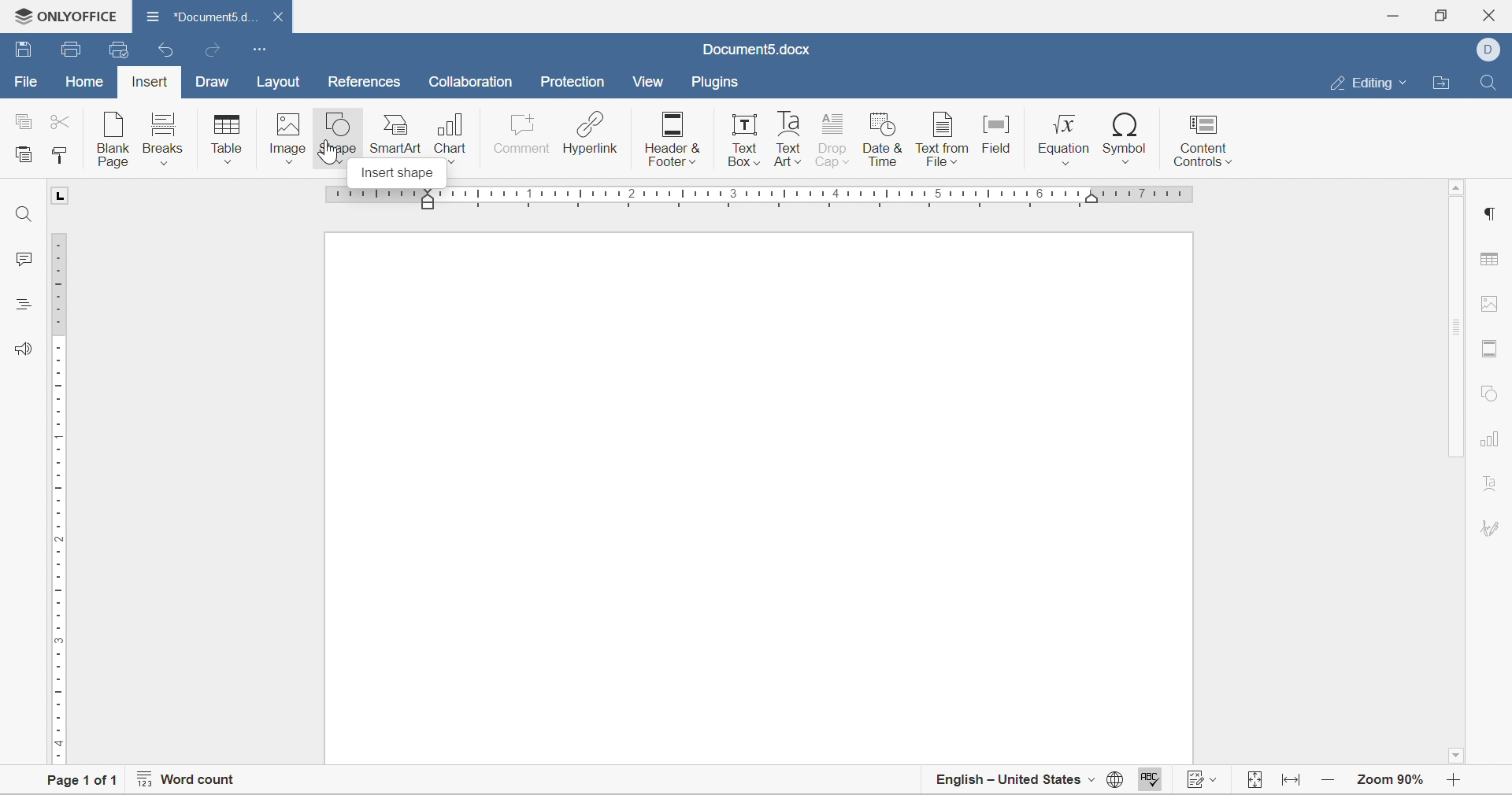 This screenshot has height=795, width=1512. What do you see at coordinates (1458, 756) in the screenshot?
I see `scroll down` at bounding box center [1458, 756].